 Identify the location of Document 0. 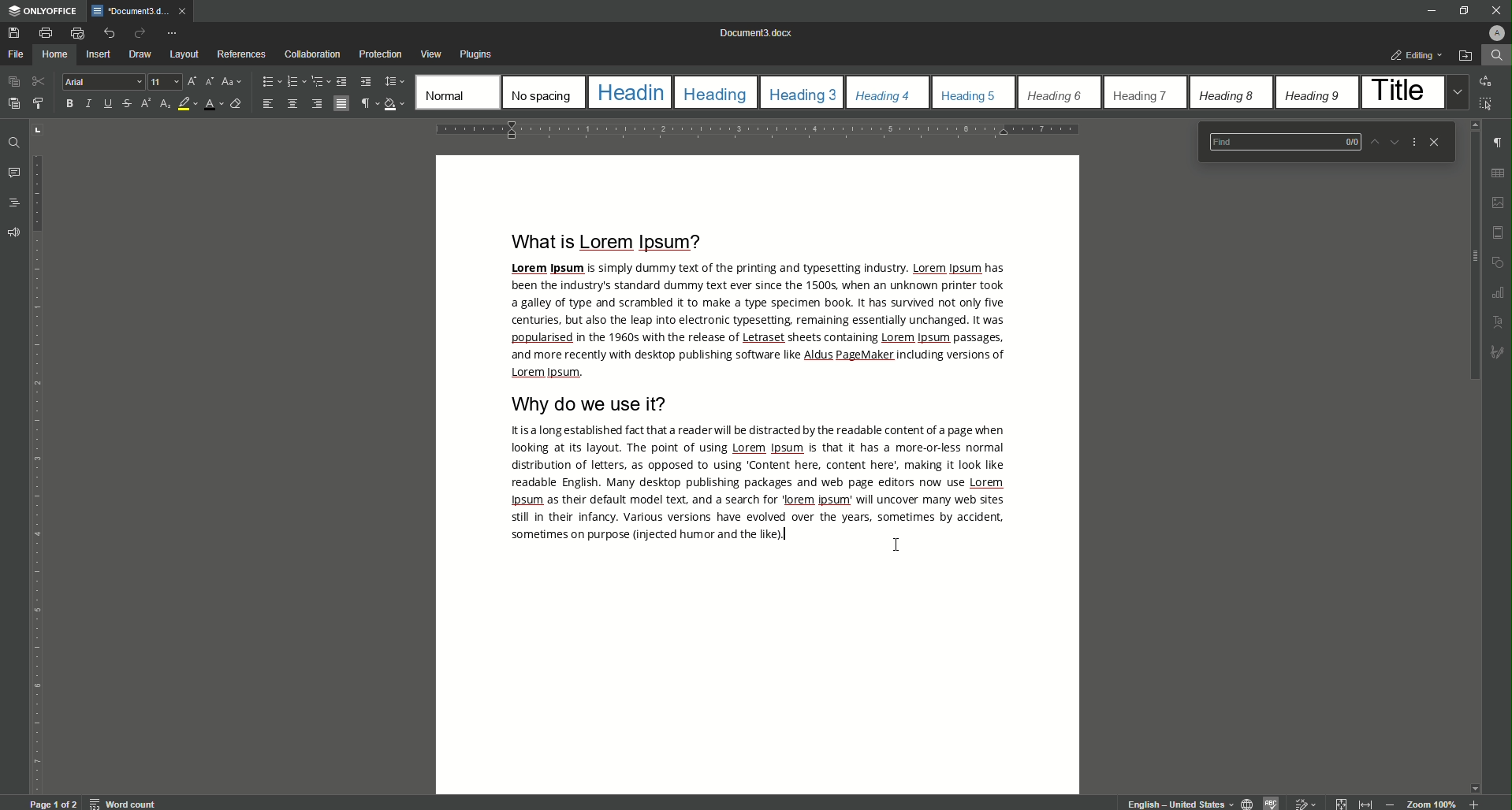
(757, 33).